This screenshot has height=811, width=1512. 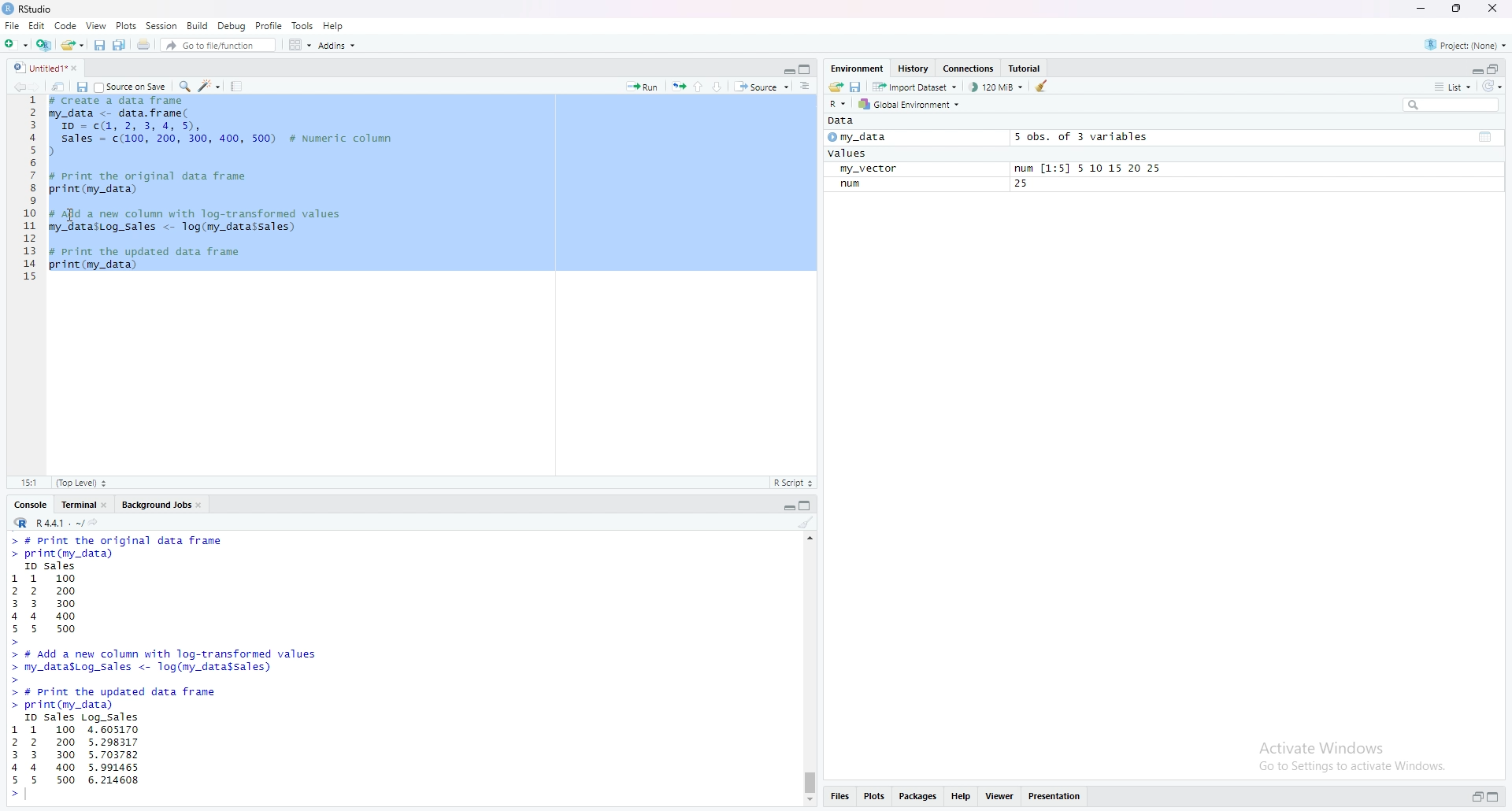 What do you see at coordinates (962, 799) in the screenshot?
I see `help` at bounding box center [962, 799].